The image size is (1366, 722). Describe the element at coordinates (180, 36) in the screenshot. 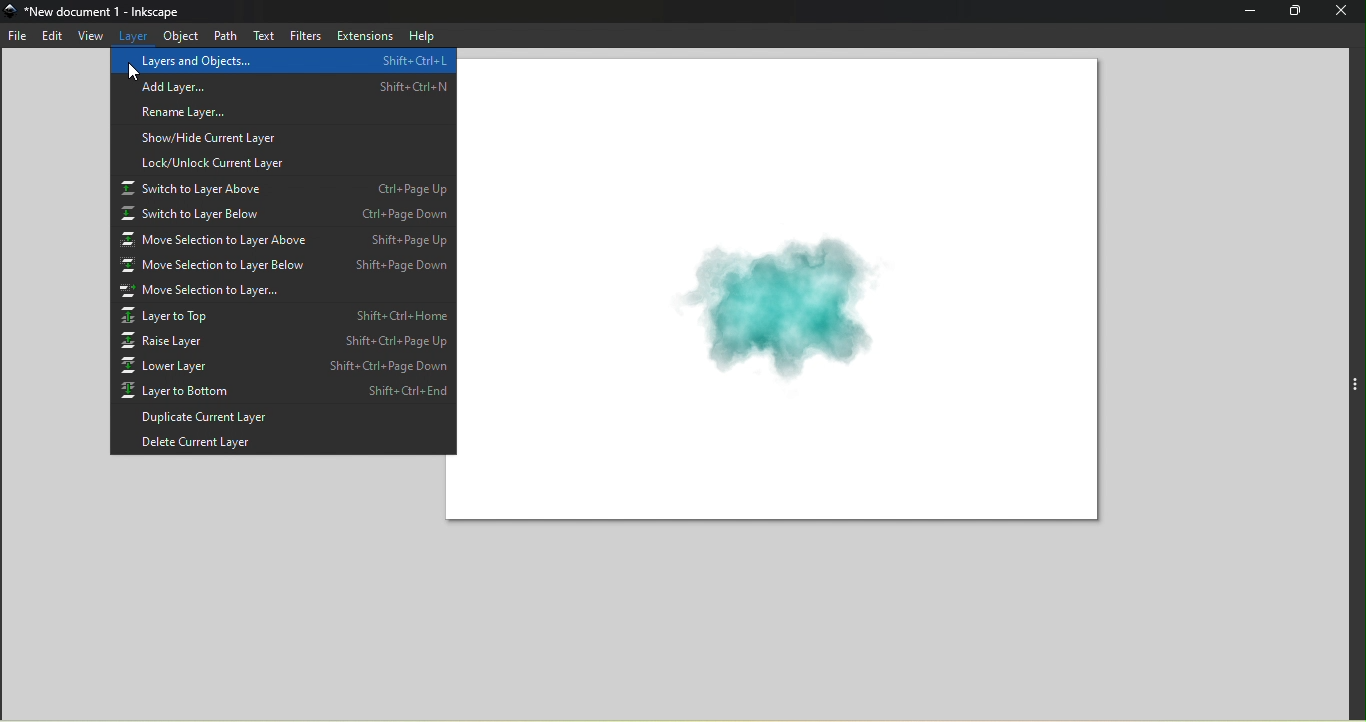

I see `Object` at that location.